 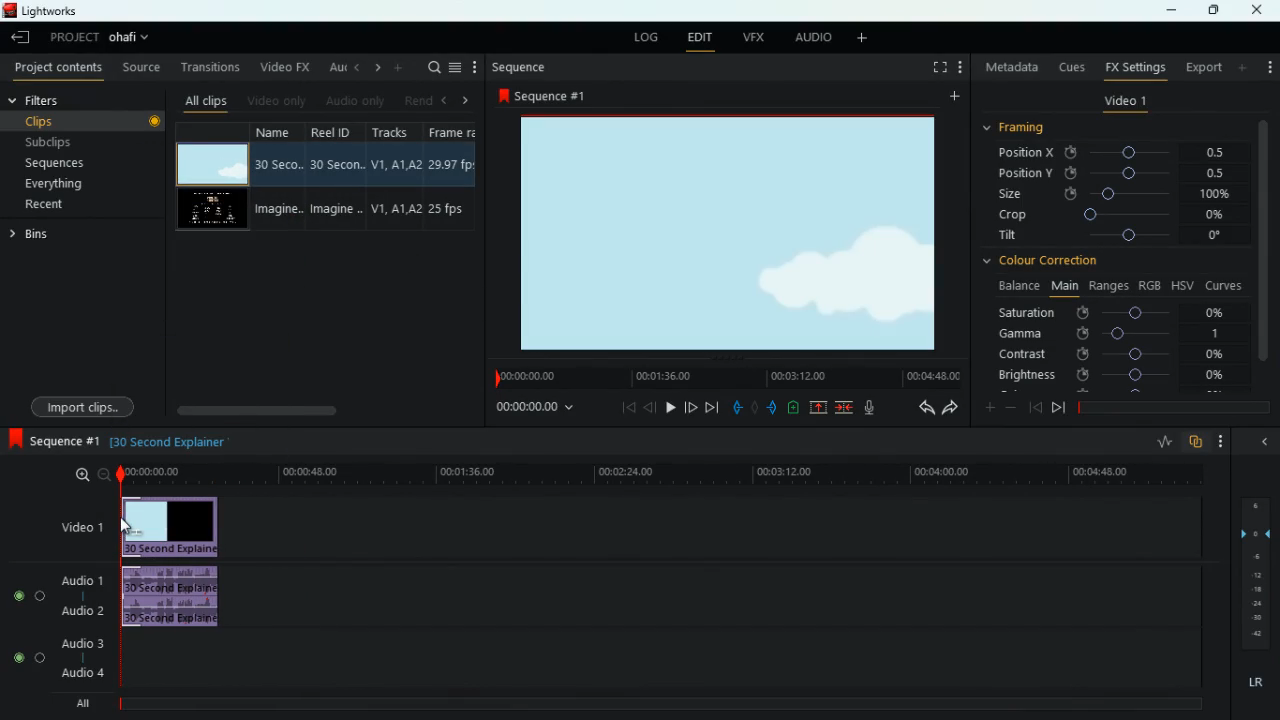 I want to click on 6 (layer), so click(x=1254, y=503).